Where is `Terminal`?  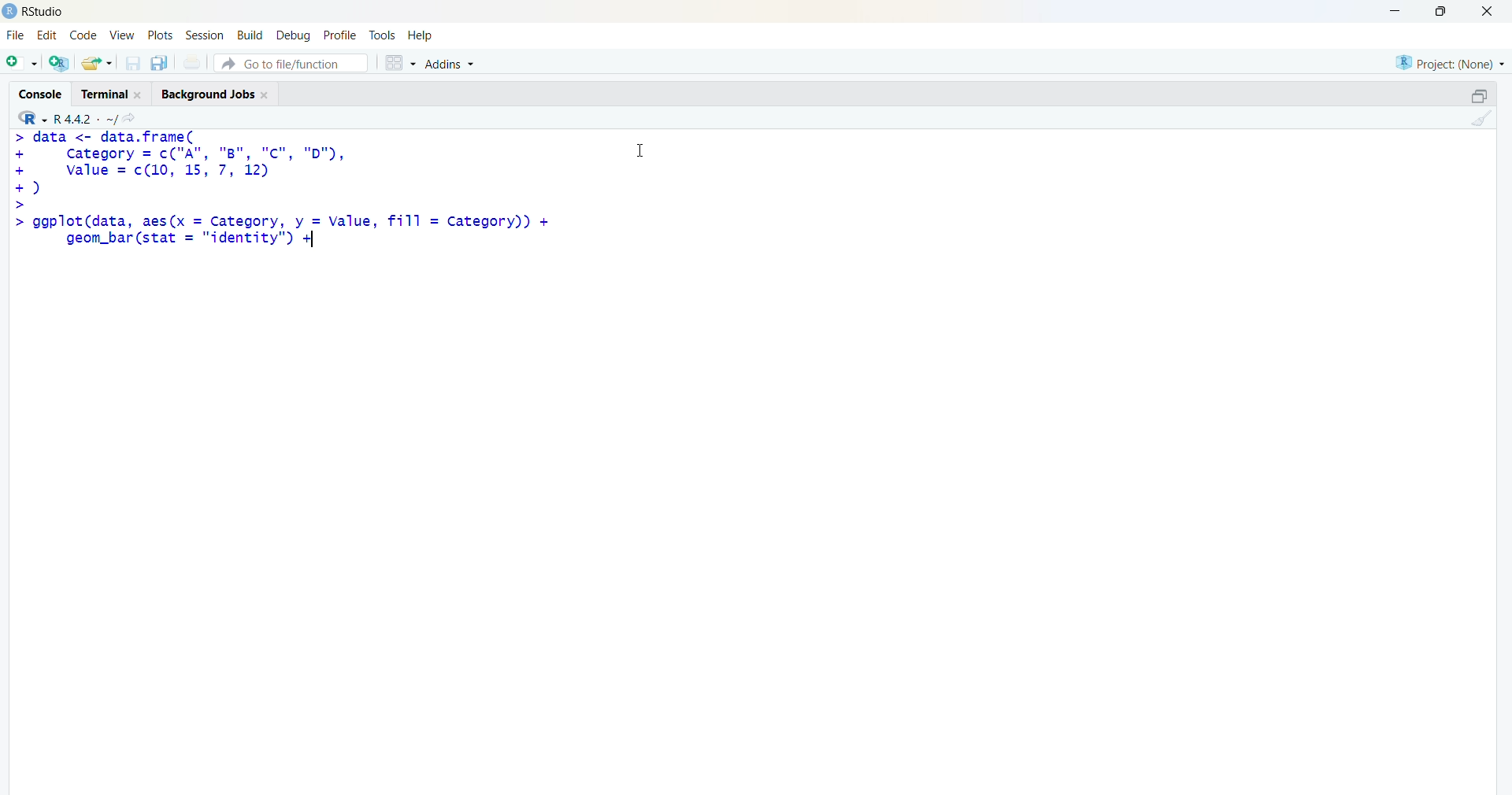 Terminal is located at coordinates (109, 92).